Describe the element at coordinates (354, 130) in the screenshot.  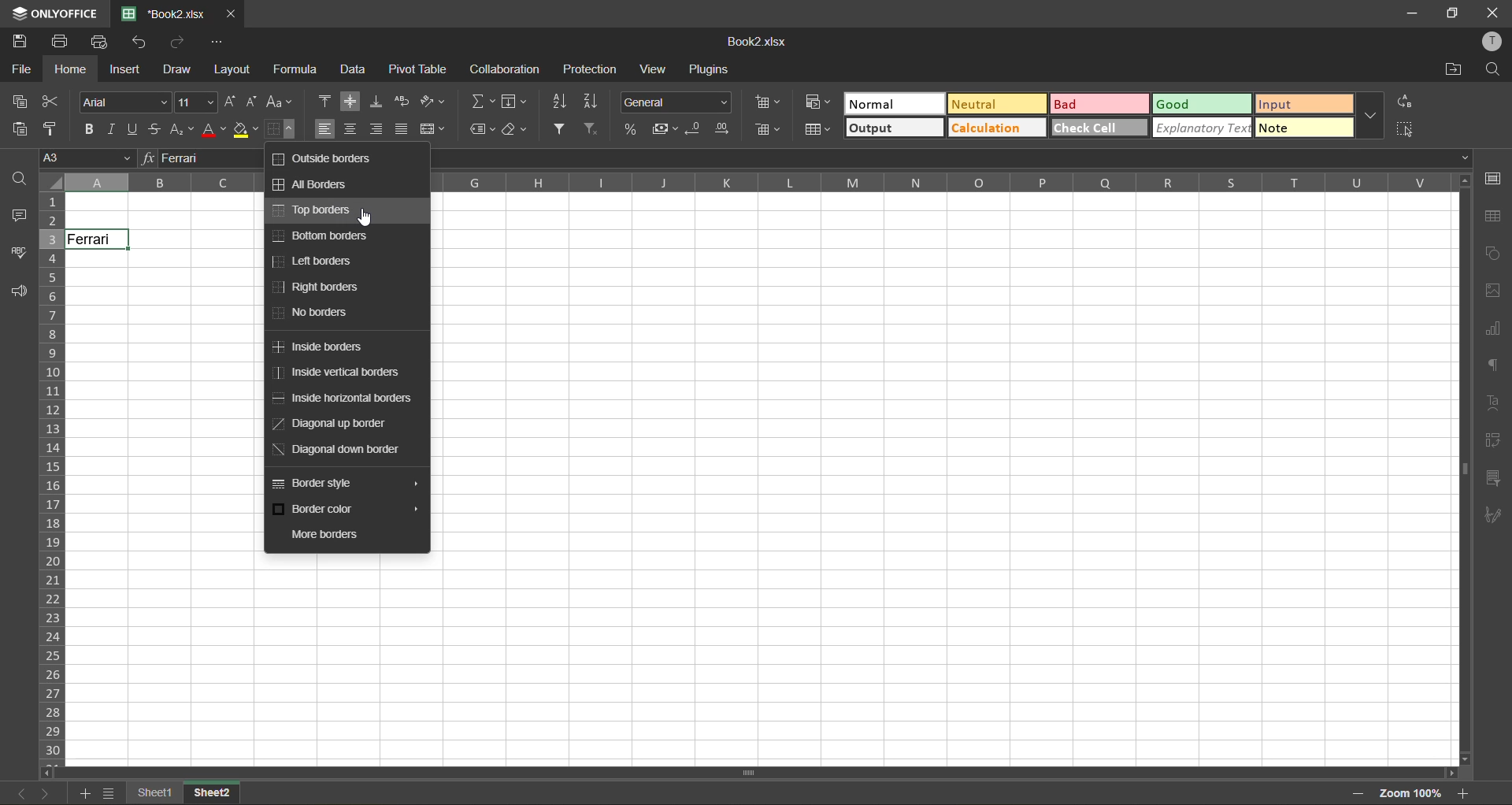
I see `align center` at that location.